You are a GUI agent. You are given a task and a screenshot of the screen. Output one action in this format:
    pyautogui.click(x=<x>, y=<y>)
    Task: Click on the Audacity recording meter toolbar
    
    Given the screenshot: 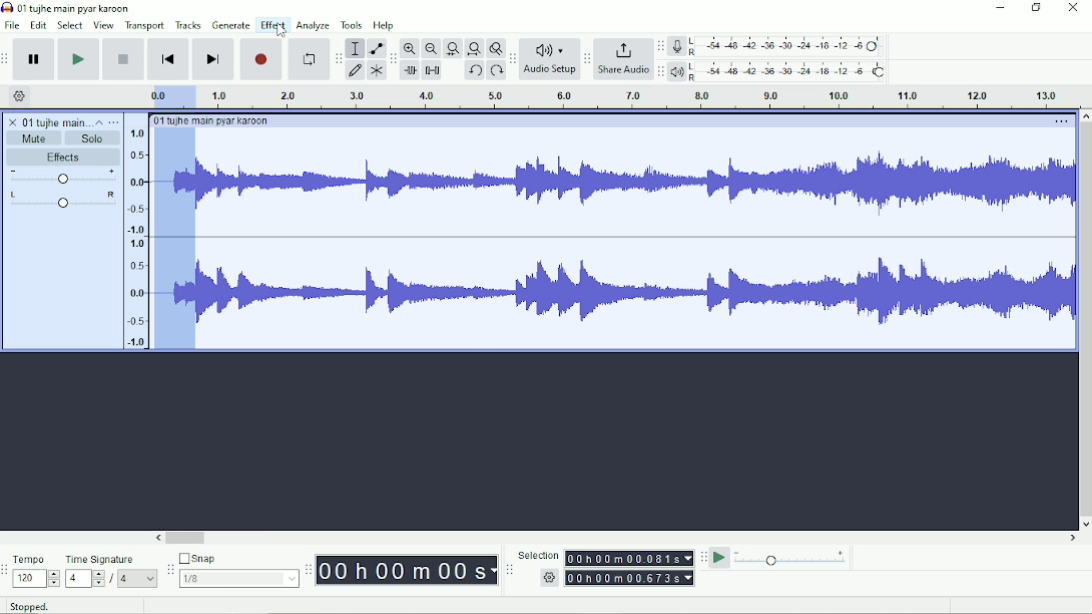 What is the action you would take?
    pyautogui.click(x=660, y=47)
    